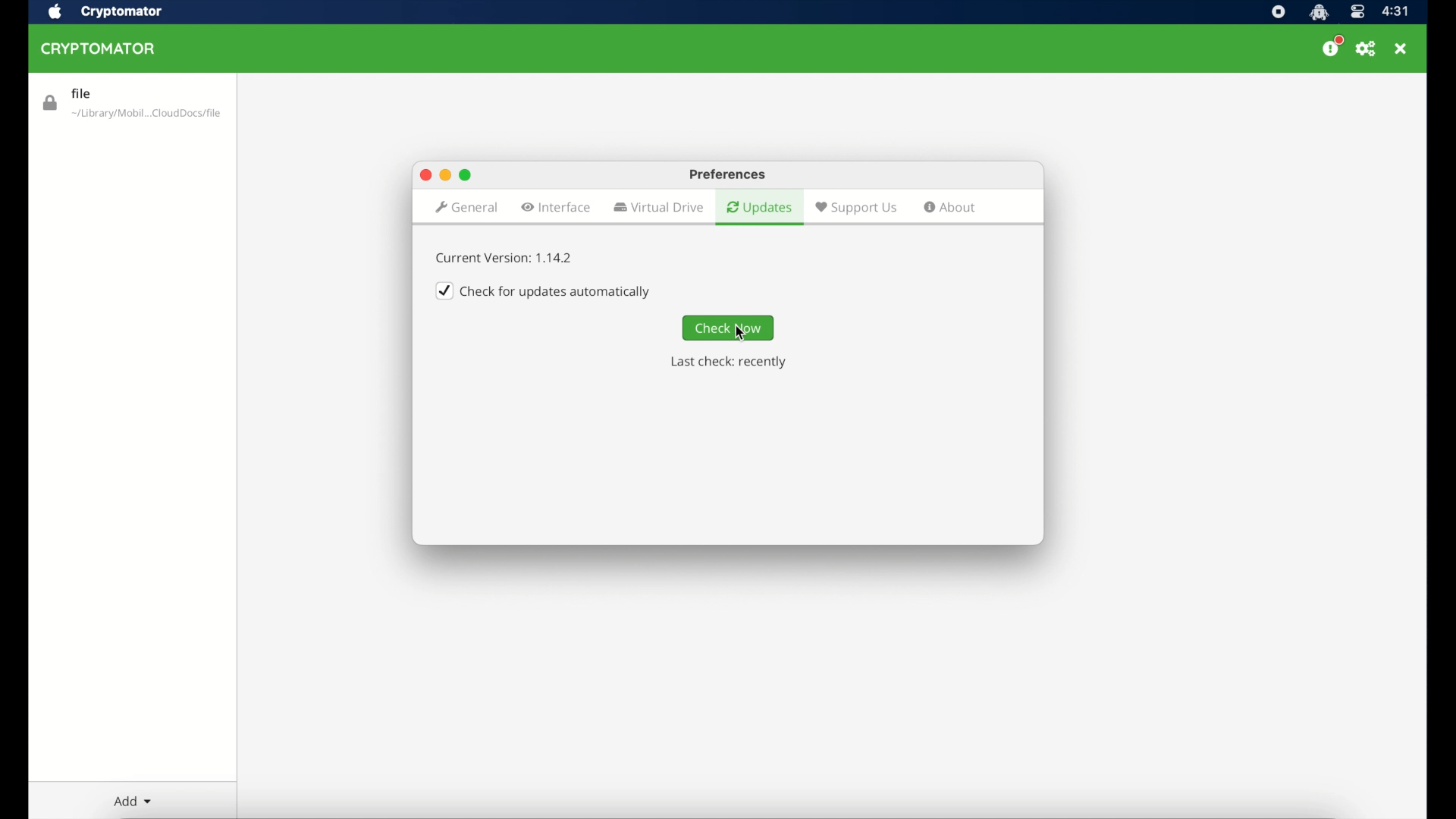 The image size is (1456, 819). What do you see at coordinates (1357, 11) in the screenshot?
I see `control center` at bounding box center [1357, 11].